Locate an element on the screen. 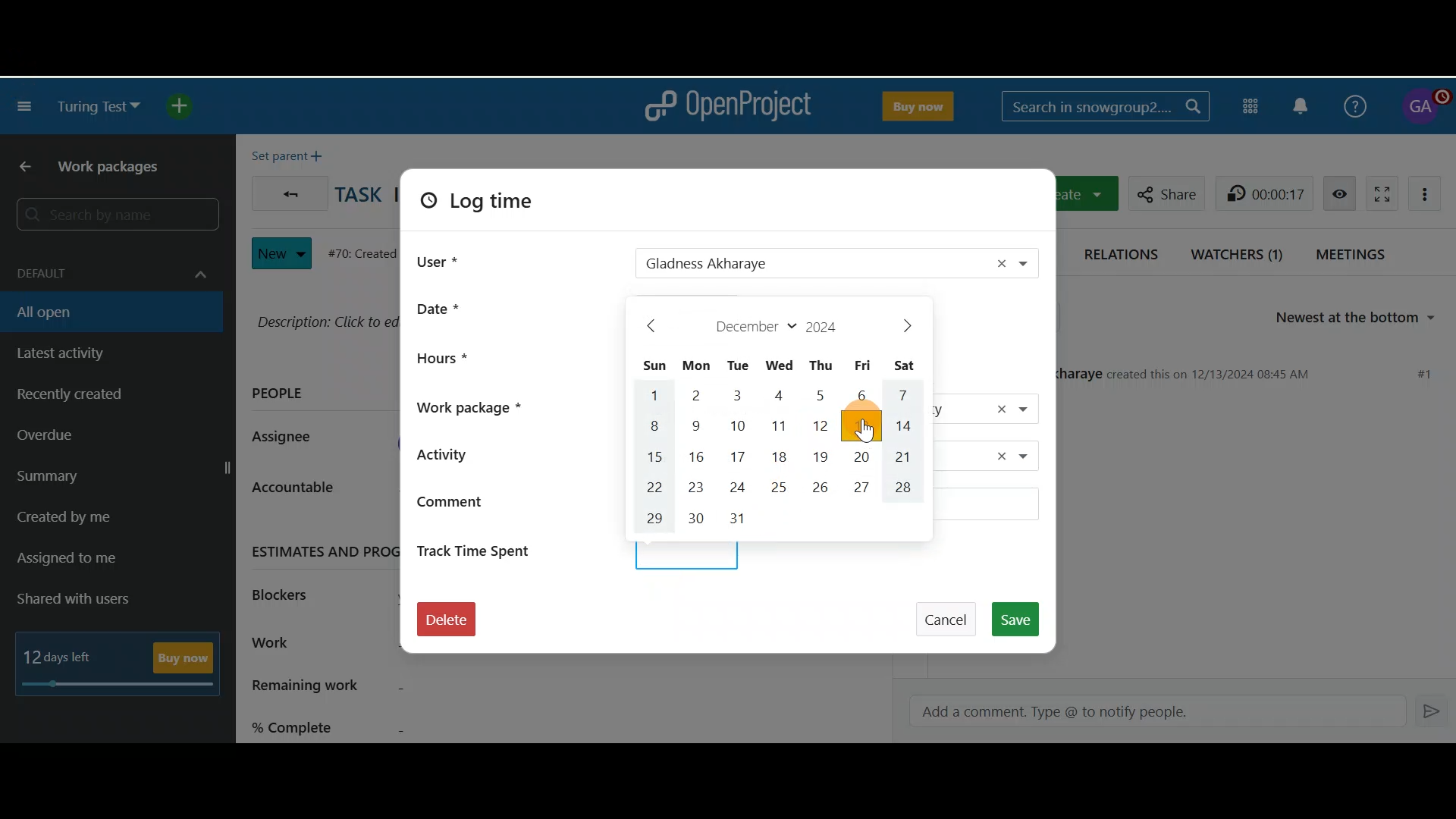  Track time spent is located at coordinates (497, 547).